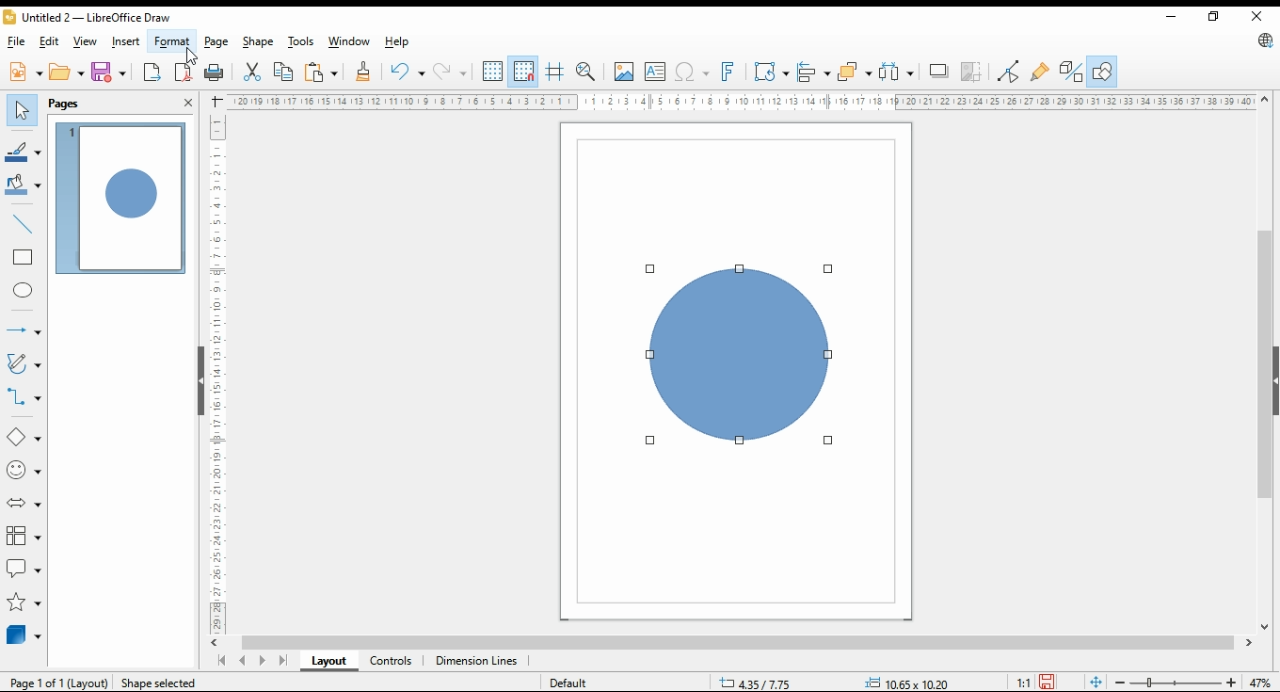  What do you see at coordinates (365, 72) in the screenshot?
I see `clone formatting` at bounding box center [365, 72].